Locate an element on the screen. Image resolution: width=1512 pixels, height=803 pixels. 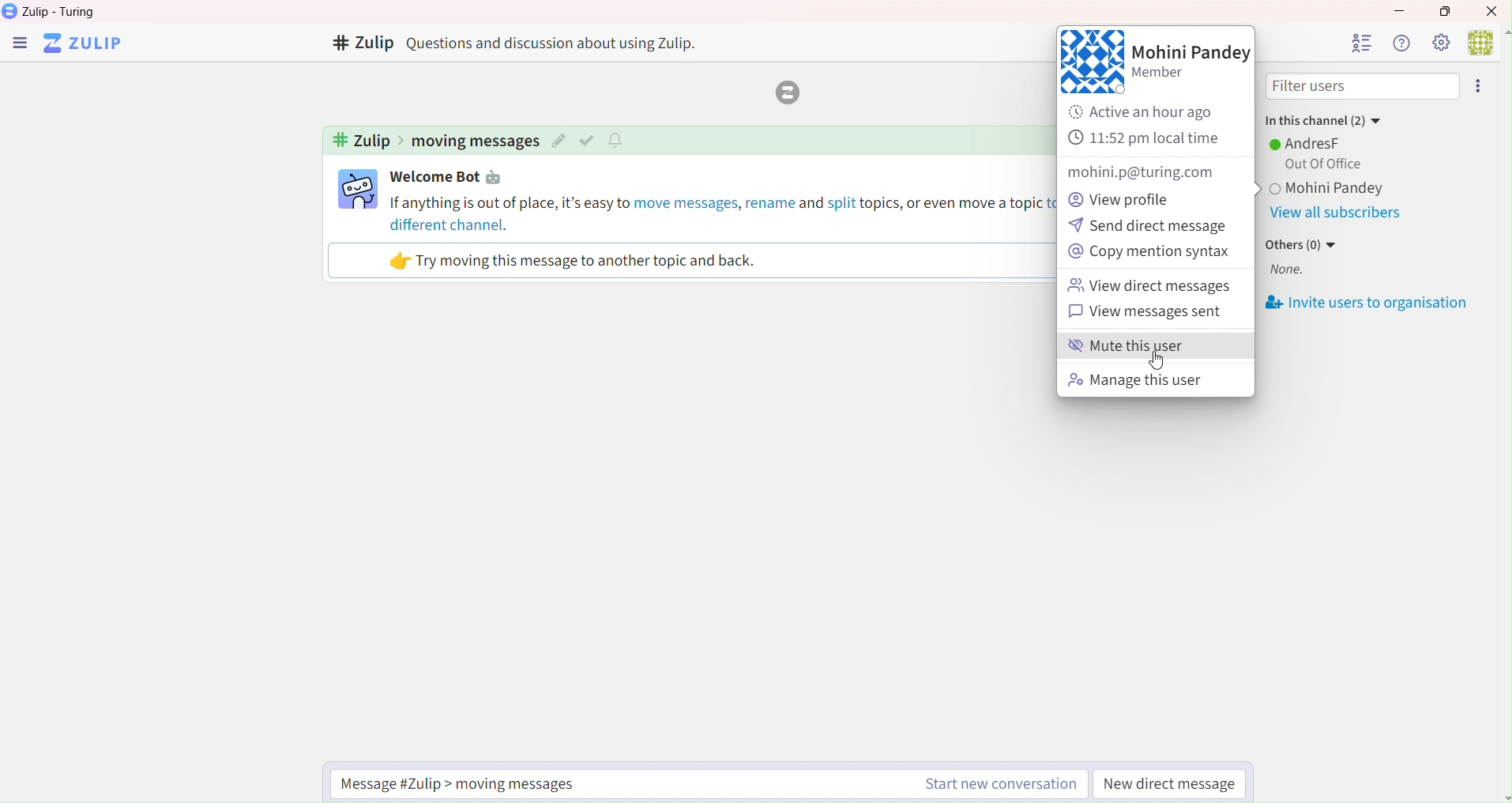
Start new conversation is located at coordinates (997, 786).